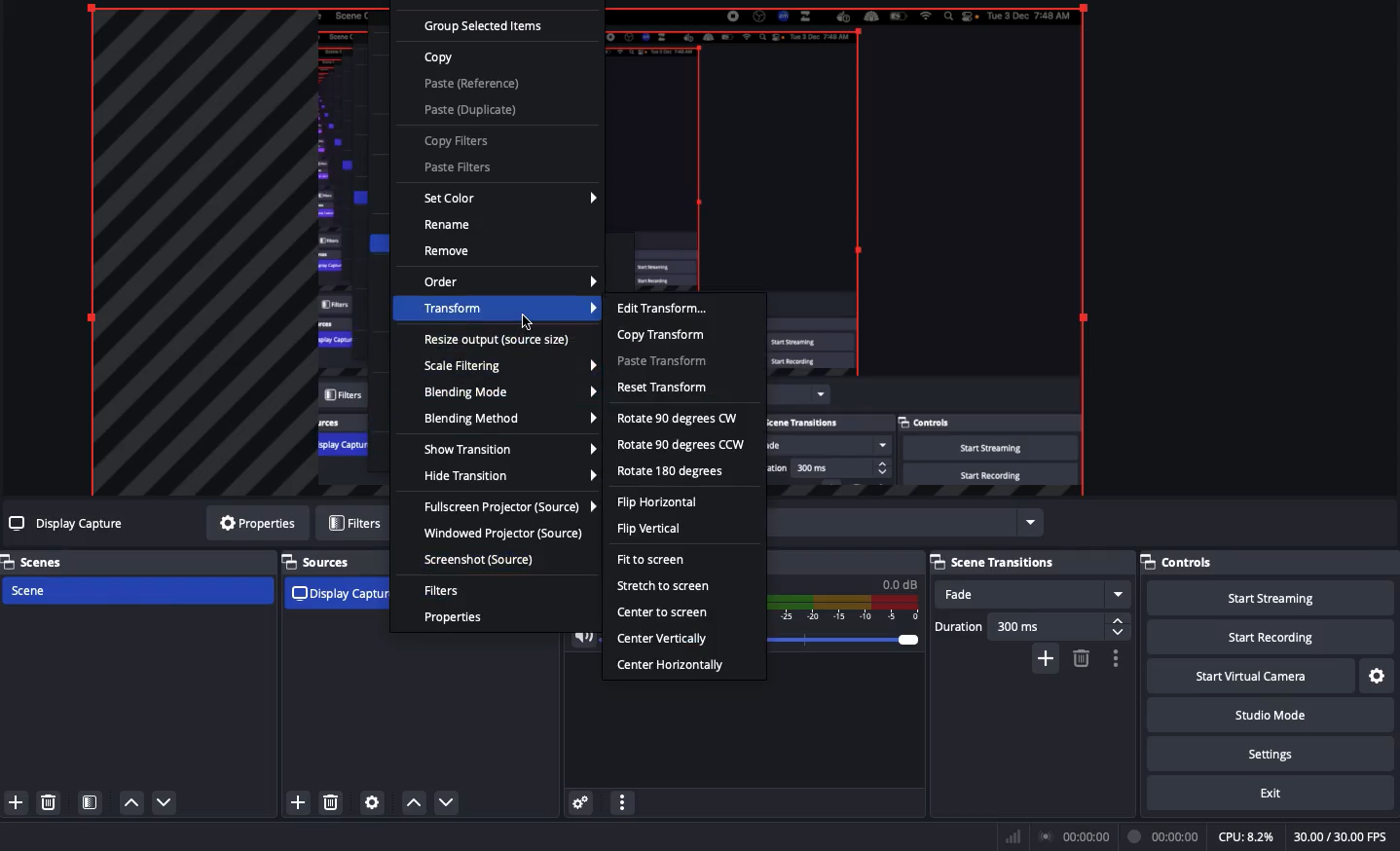 The width and height of the screenshot is (1400, 851). I want to click on Settings, so click(375, 803).